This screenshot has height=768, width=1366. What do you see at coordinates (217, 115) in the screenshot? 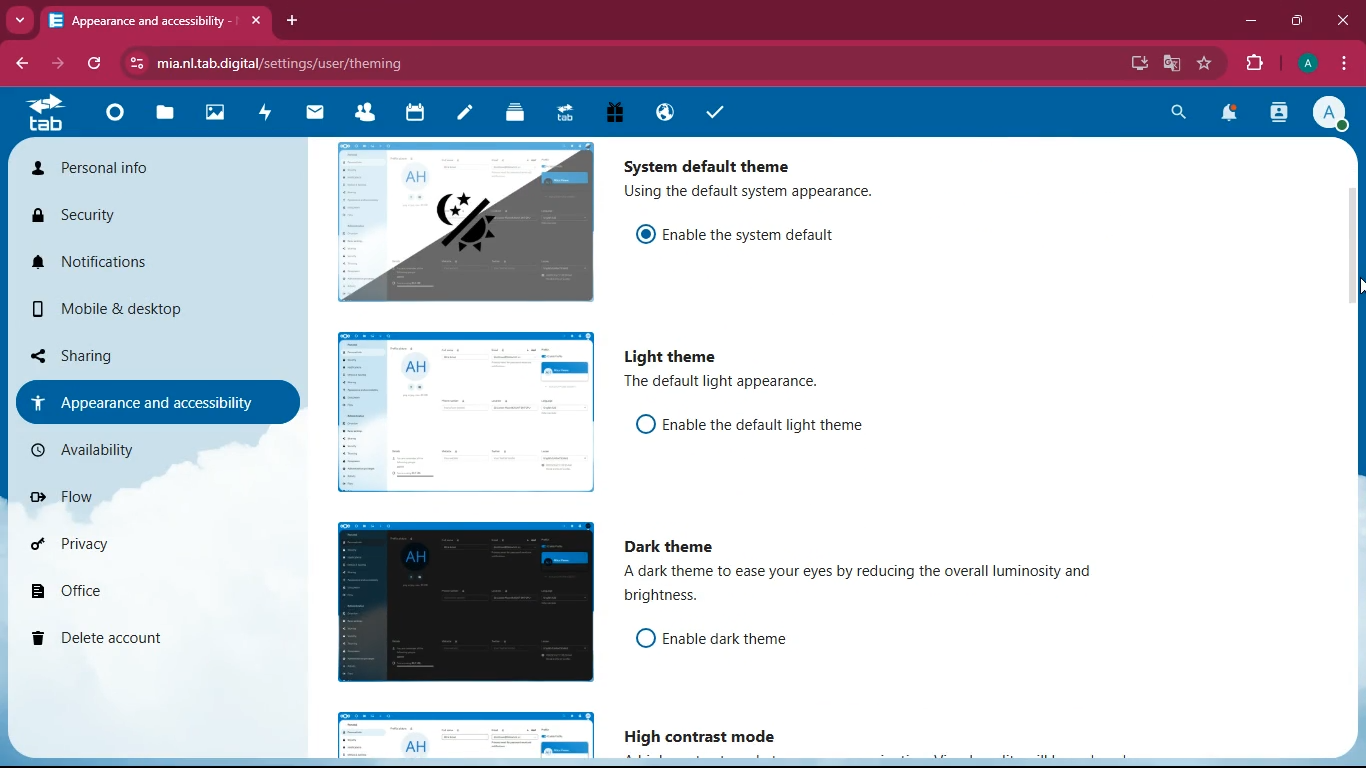
I see `image` at bounding box center [217, 115].